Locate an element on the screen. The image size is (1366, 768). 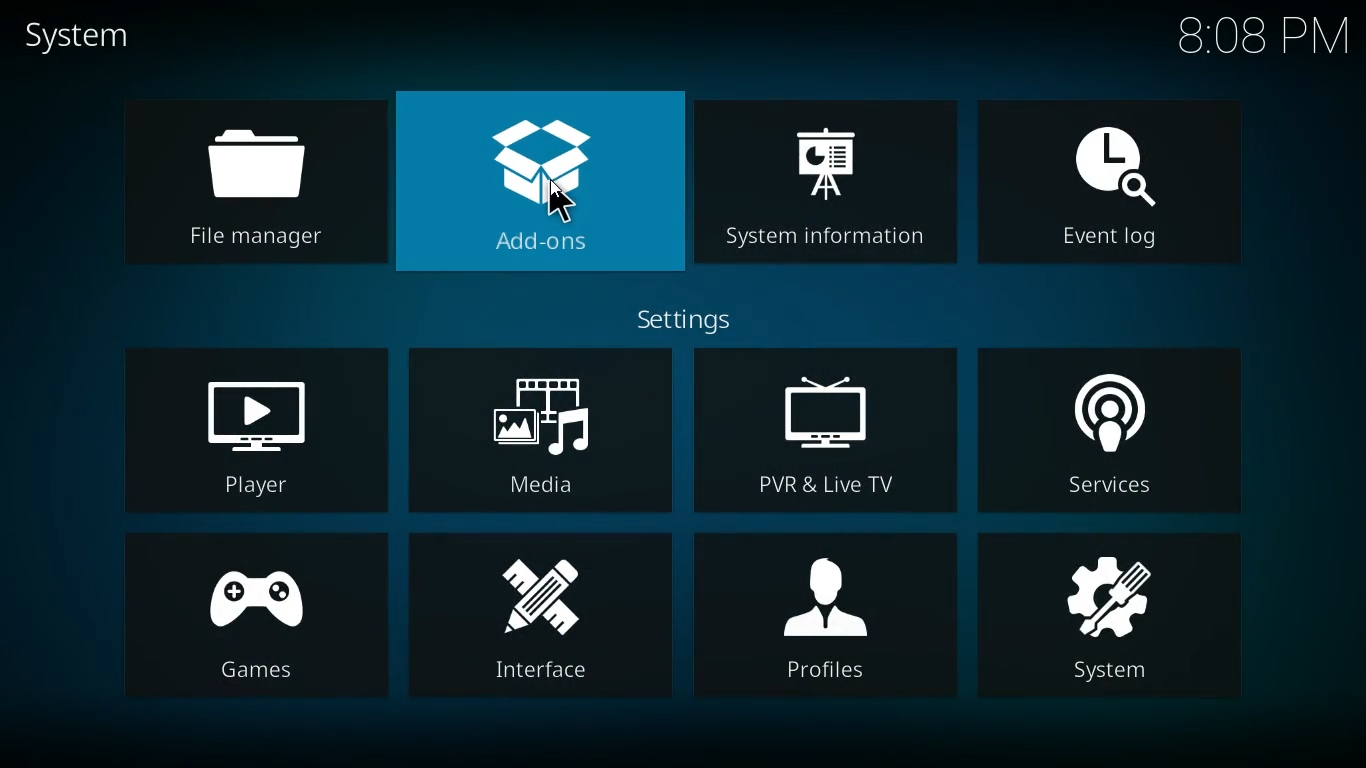
games is located at coordinates (257, 622).